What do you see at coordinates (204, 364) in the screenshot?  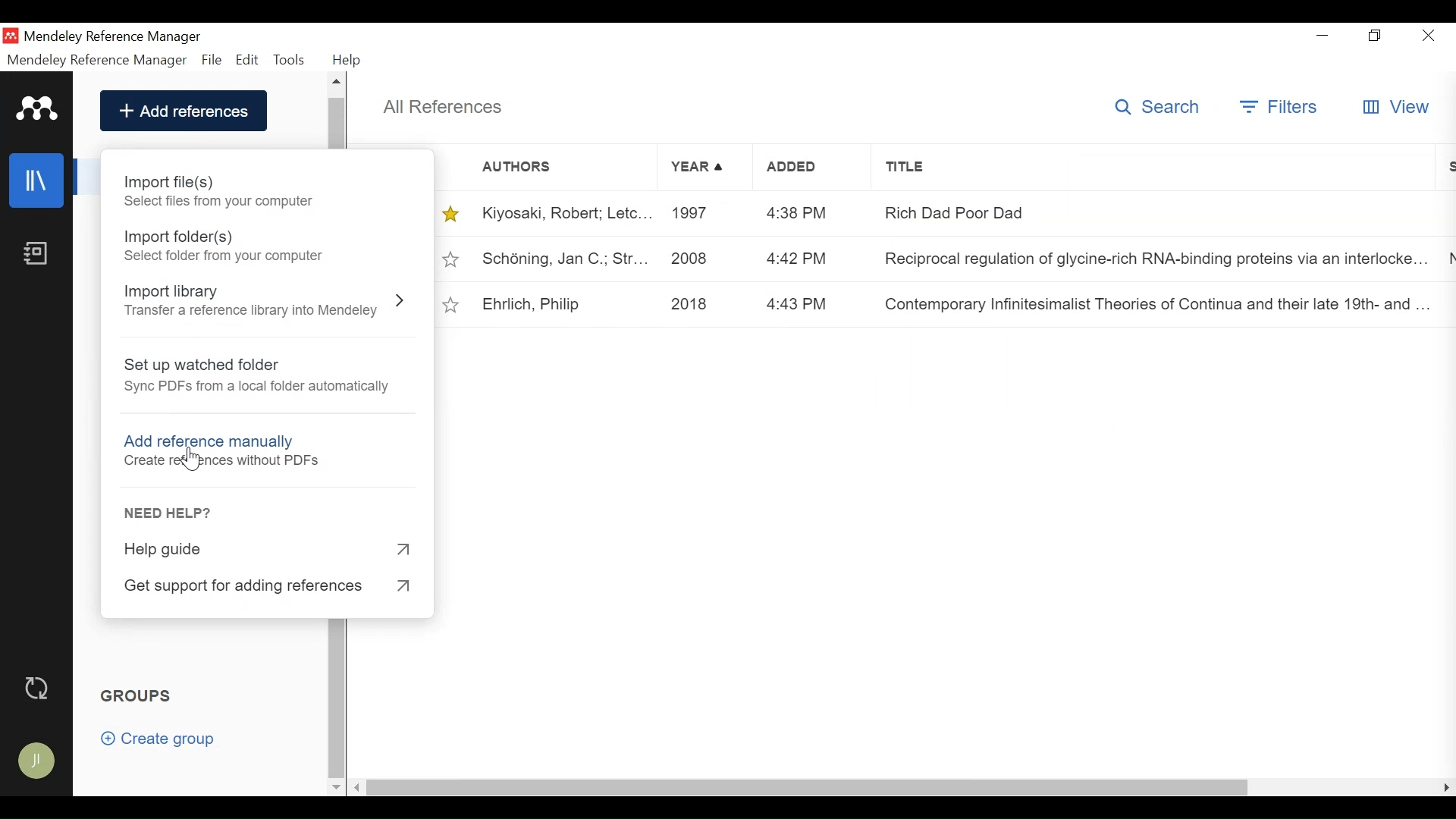 I see `Set up watched folder` at bounding box center [204, 364].